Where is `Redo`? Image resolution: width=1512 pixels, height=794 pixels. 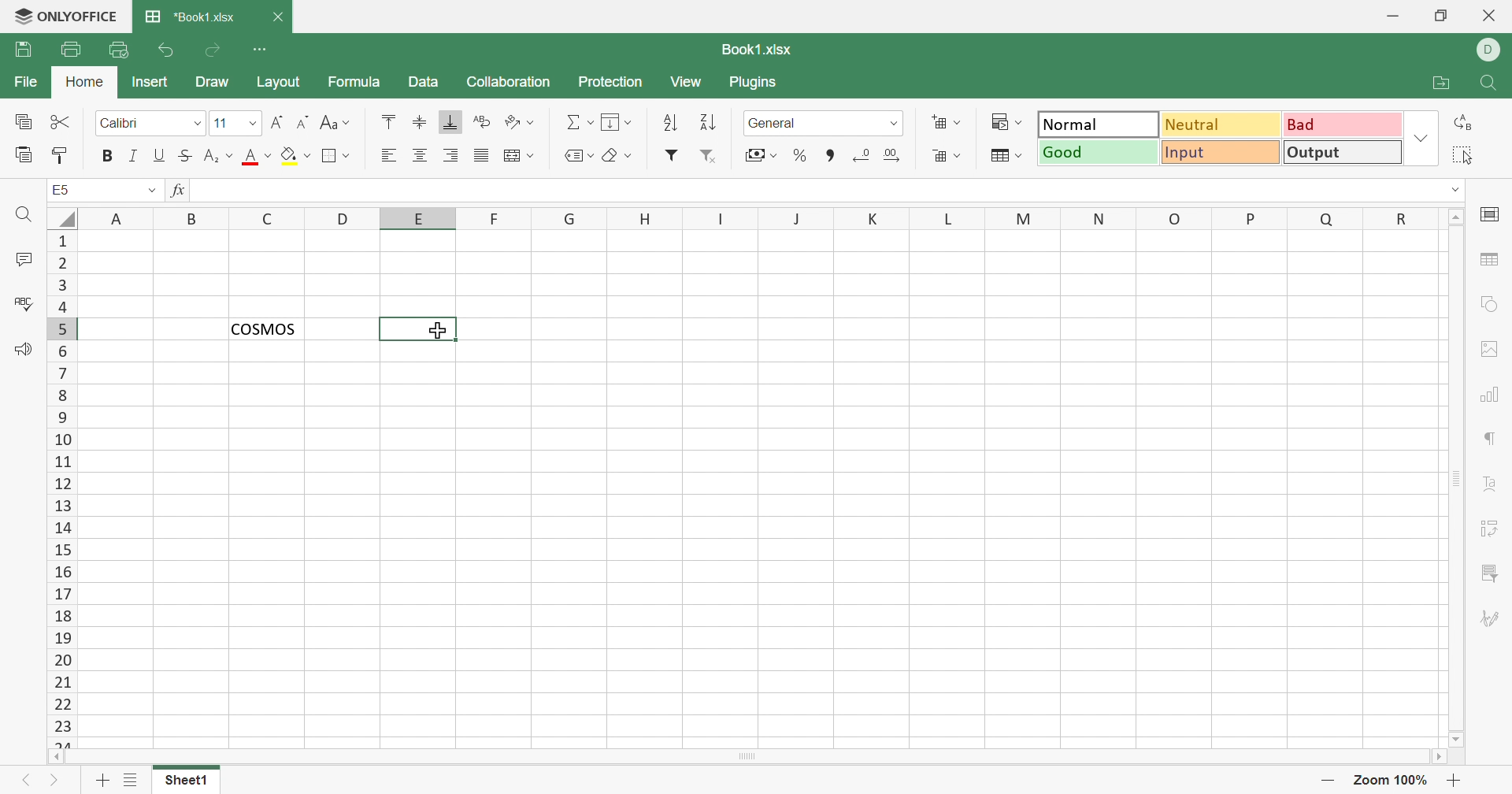 Redo is located at coordinates (213, 54).